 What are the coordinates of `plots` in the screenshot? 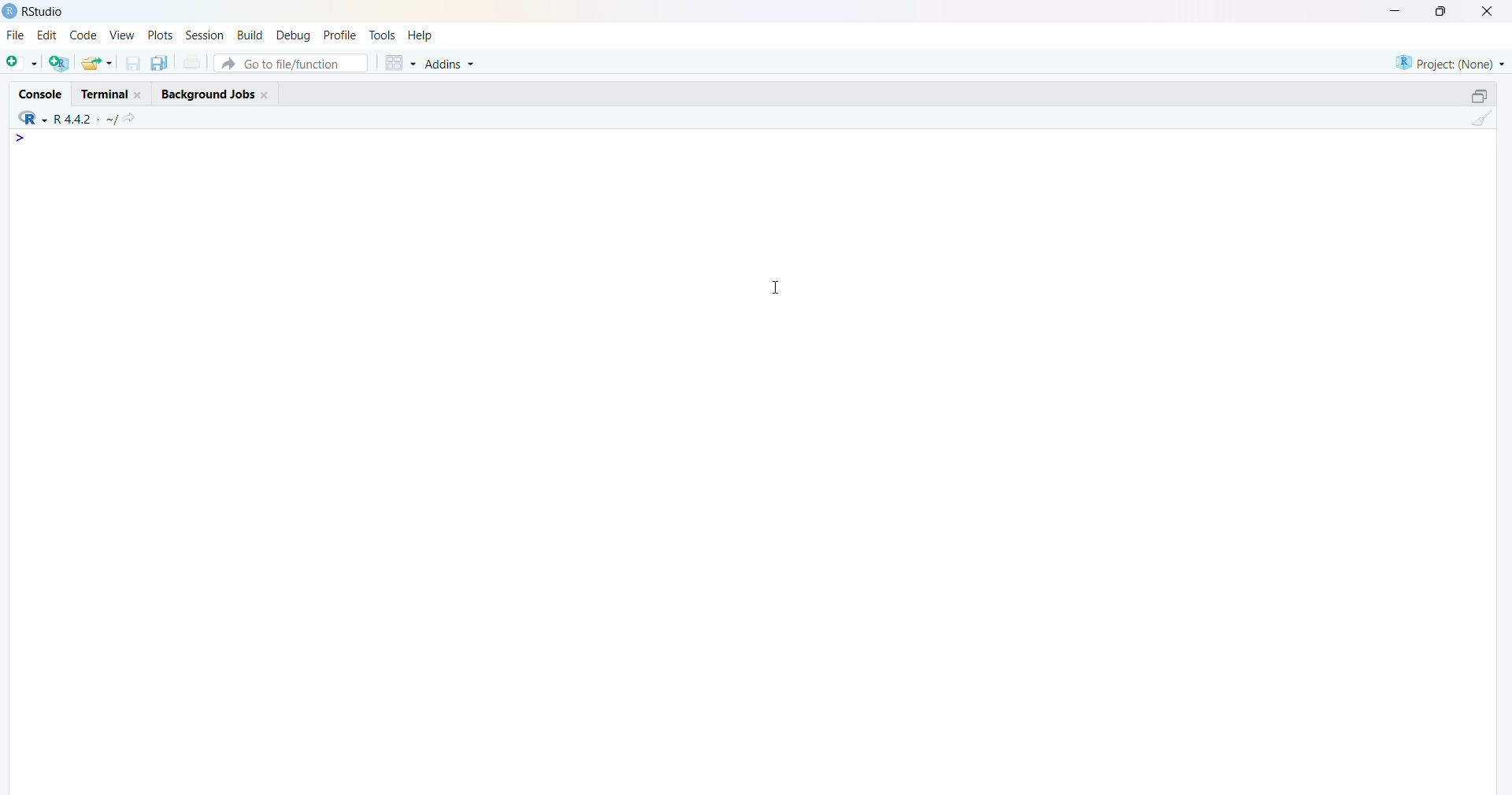 It's located at (160, 34).